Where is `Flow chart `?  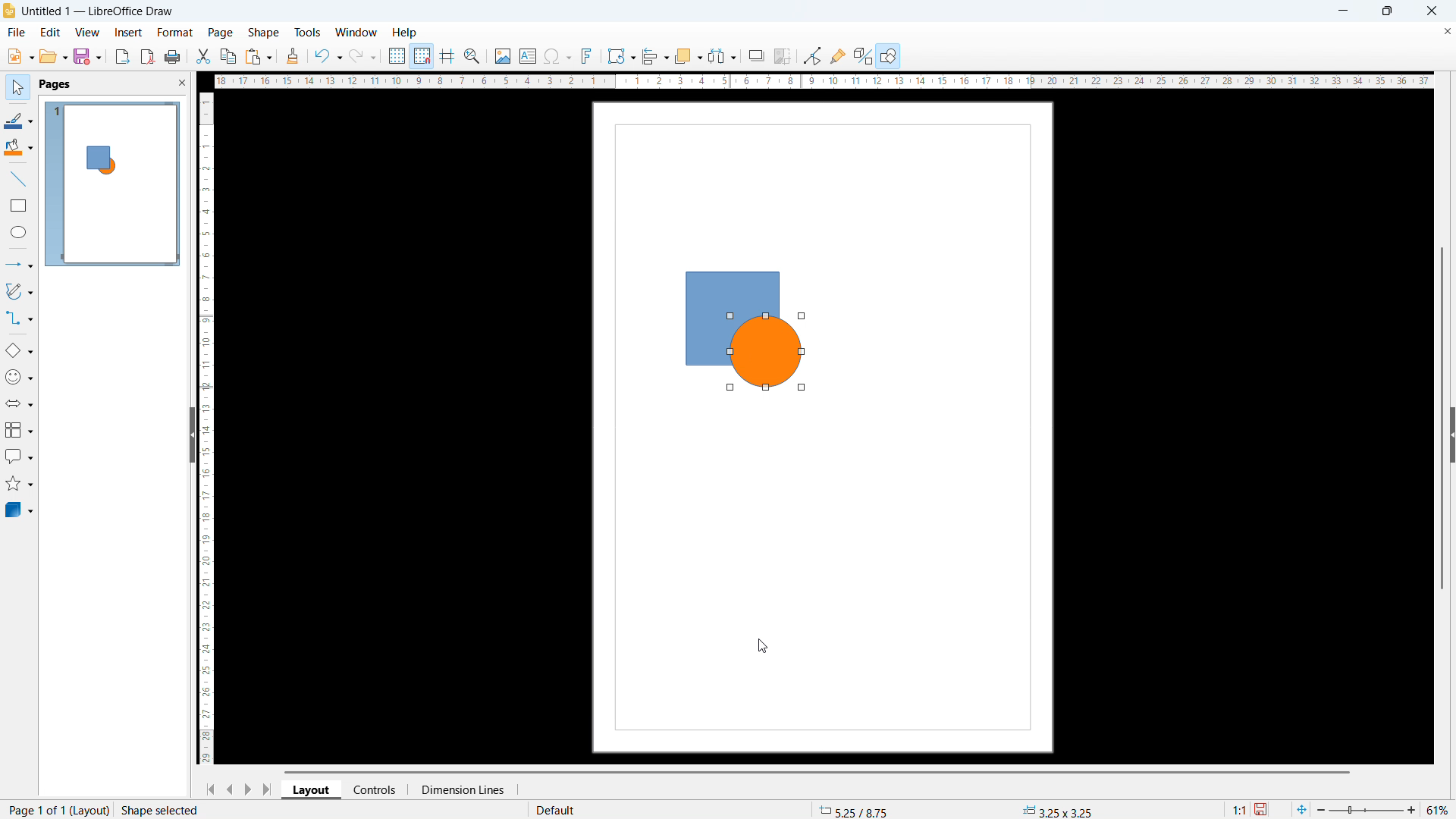 Flow chart  is located at coordinates (19, 431).